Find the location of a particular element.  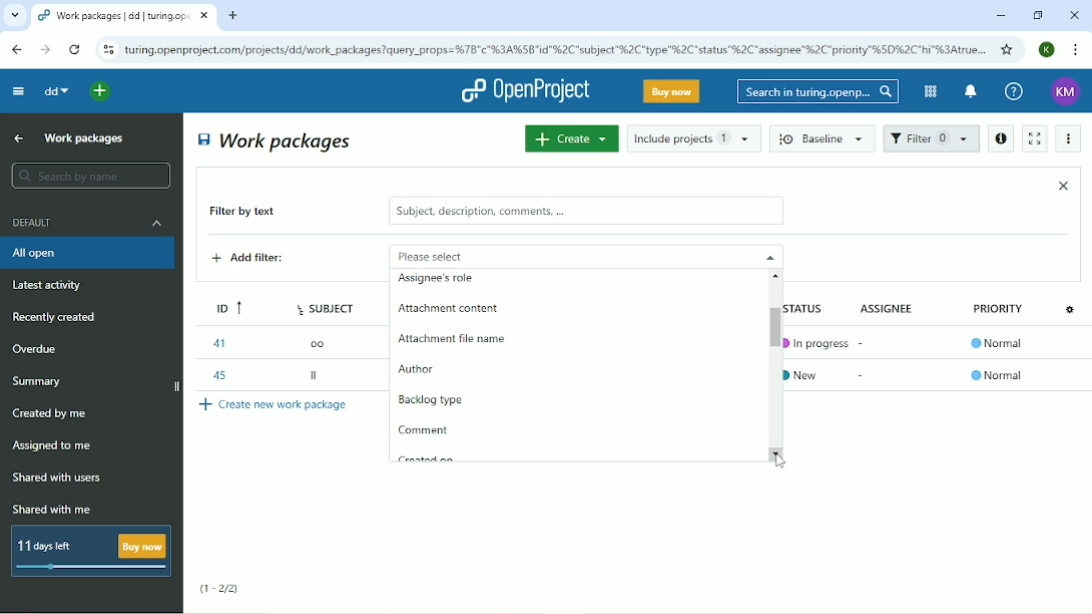

Baseline is located at coordinates (824, 138).